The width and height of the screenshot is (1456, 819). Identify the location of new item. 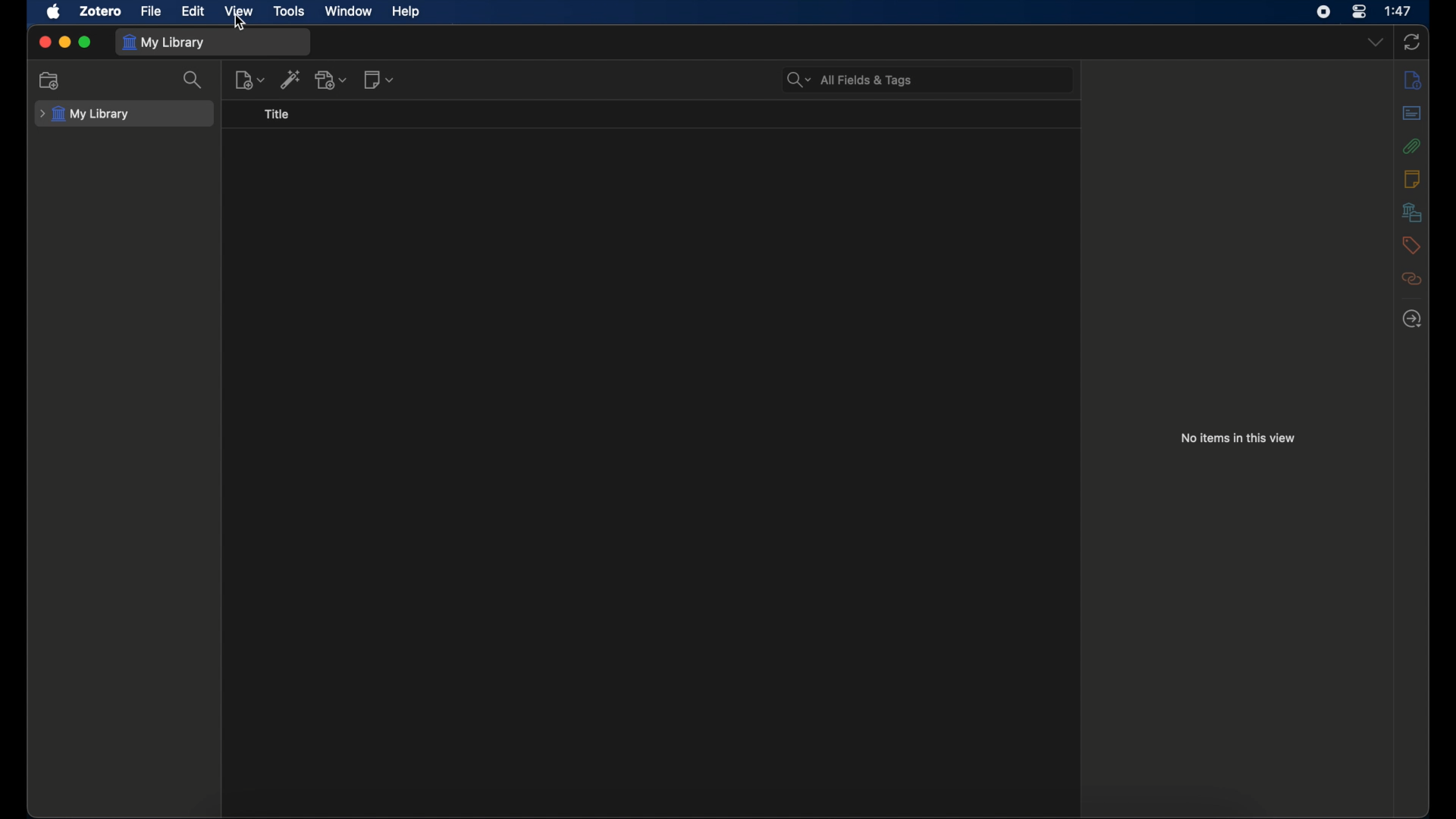
(249, 80).